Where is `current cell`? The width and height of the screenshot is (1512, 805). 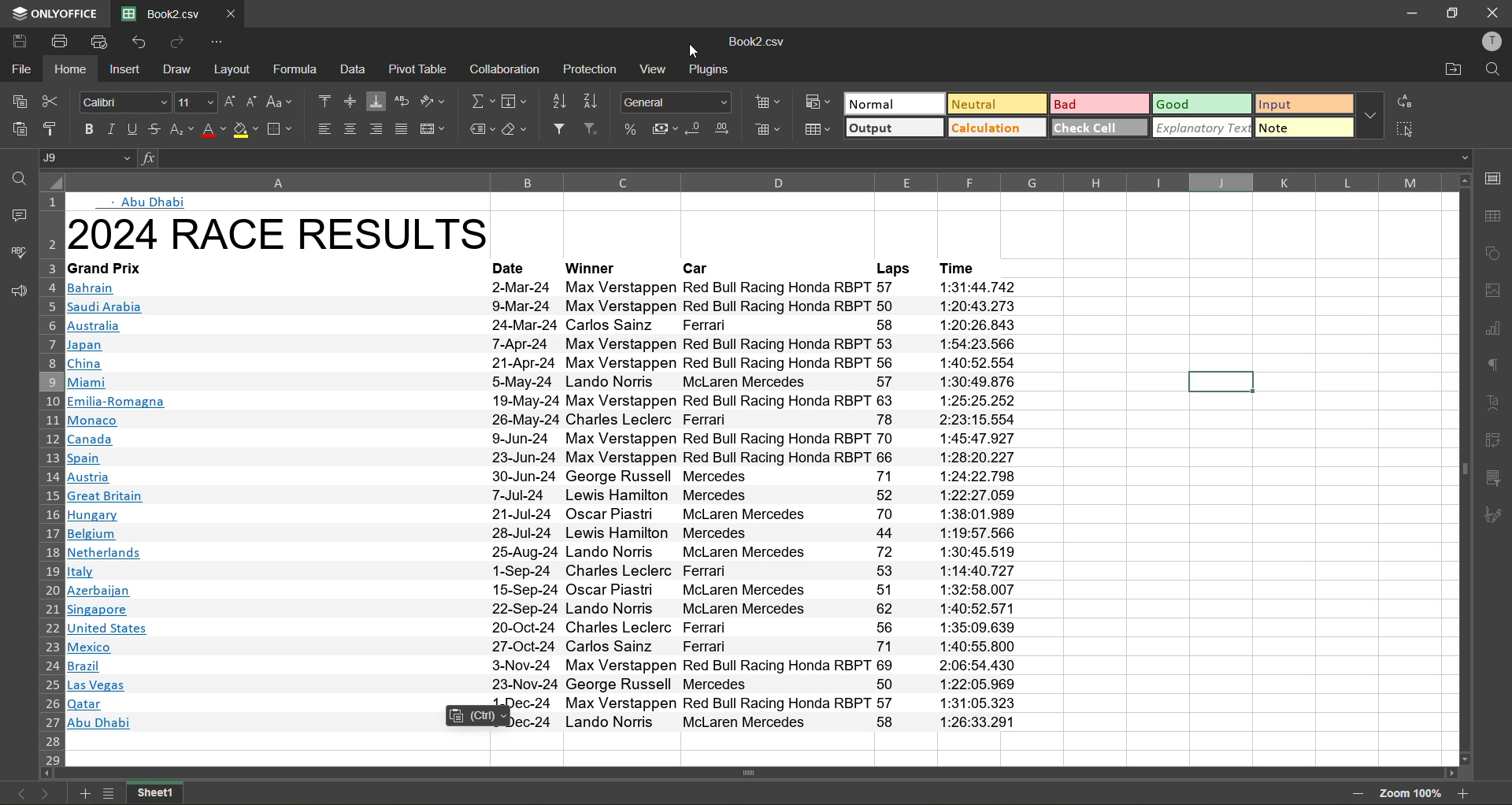
current cell is located at coordinates (1219, 382).